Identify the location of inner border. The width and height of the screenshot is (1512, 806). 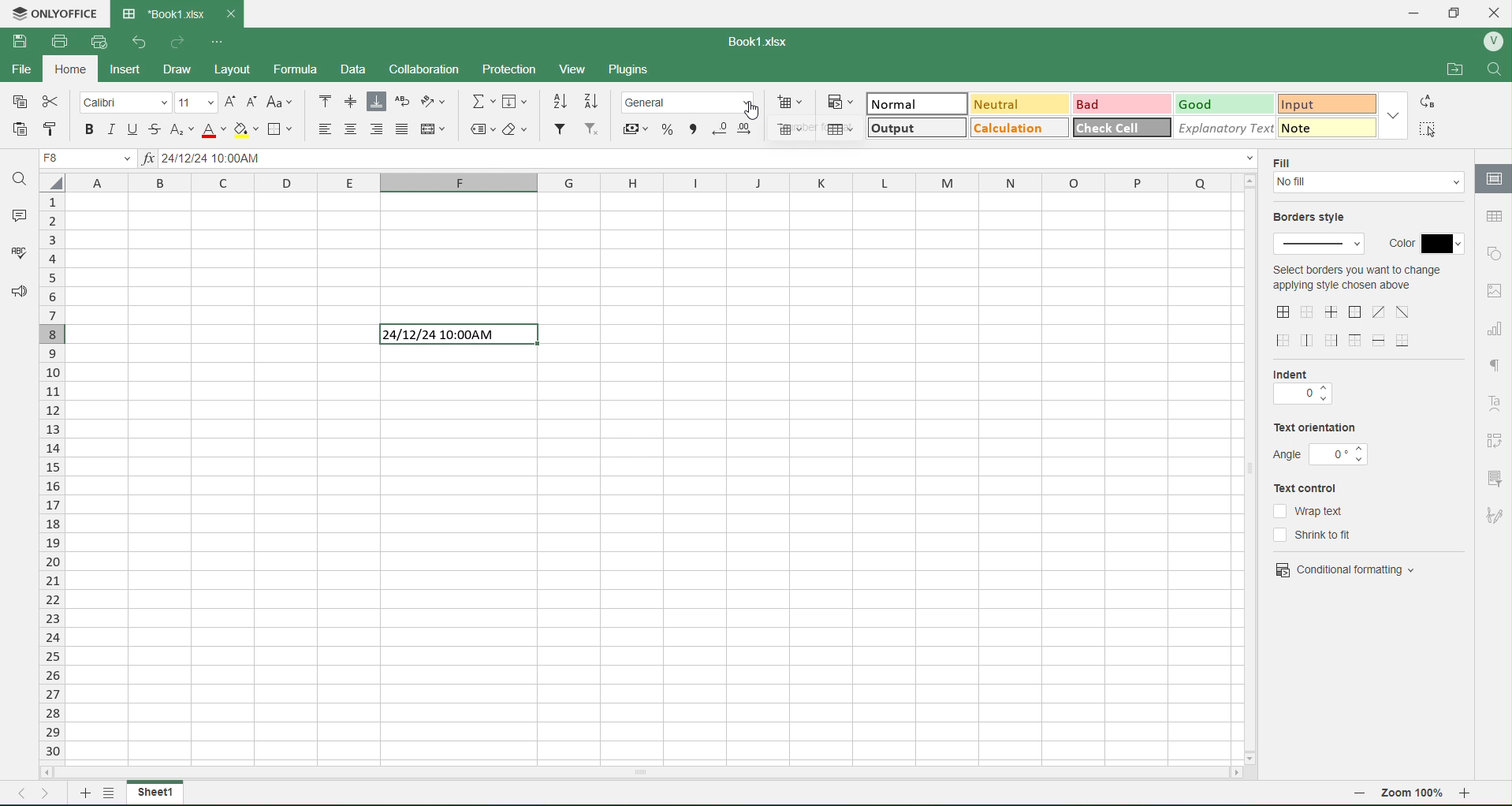
(1333, 312).